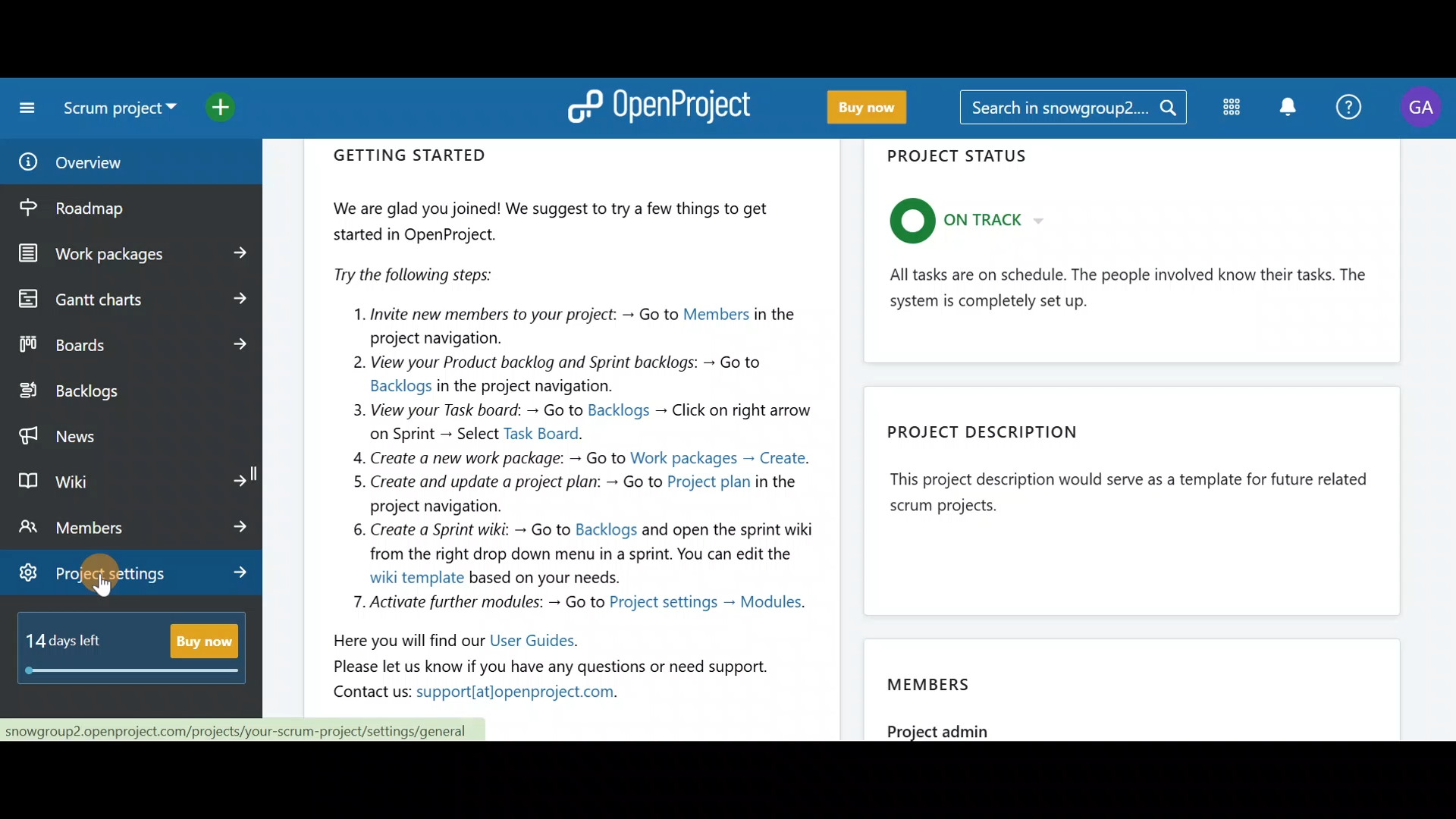 The width and height of the screenshot is (1456, 819). I want to click on Boards, so click(131, 344).